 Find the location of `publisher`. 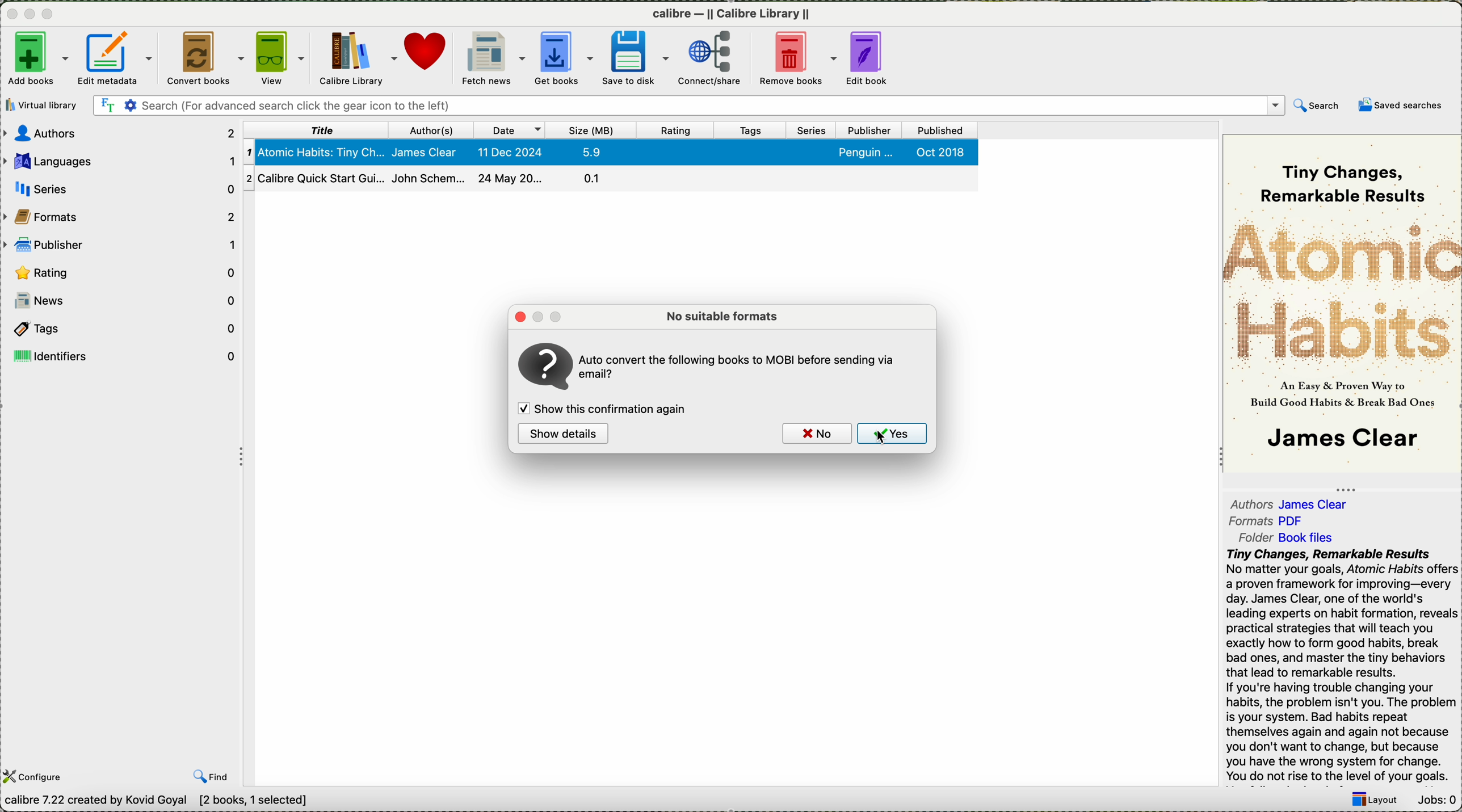

publisher is located at coordinates (121, 243).